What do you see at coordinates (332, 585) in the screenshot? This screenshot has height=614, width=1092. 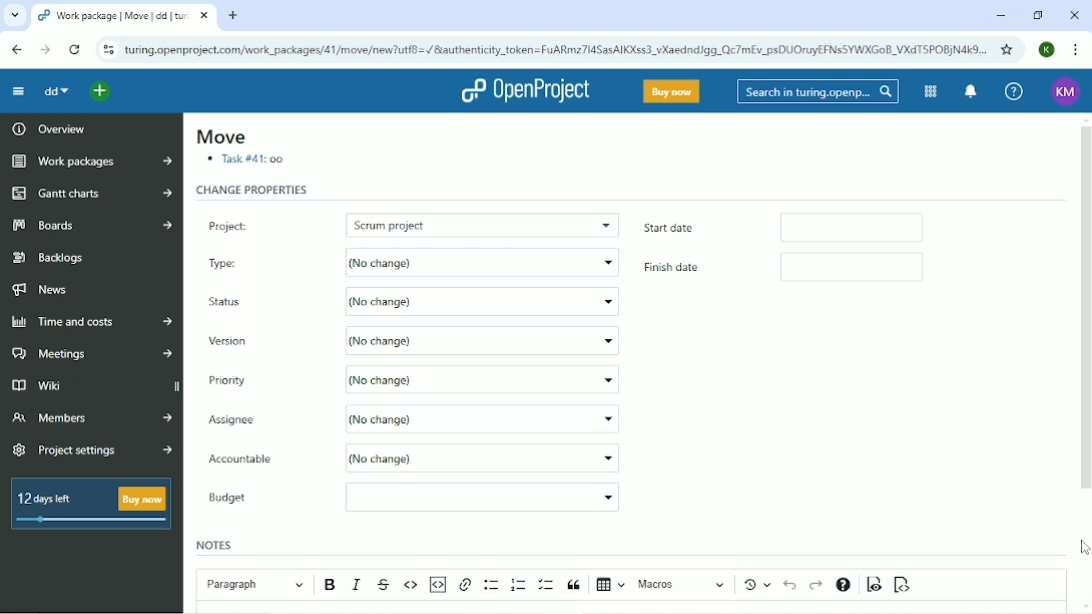 I see `Bold` at bounding box center [332, 585].